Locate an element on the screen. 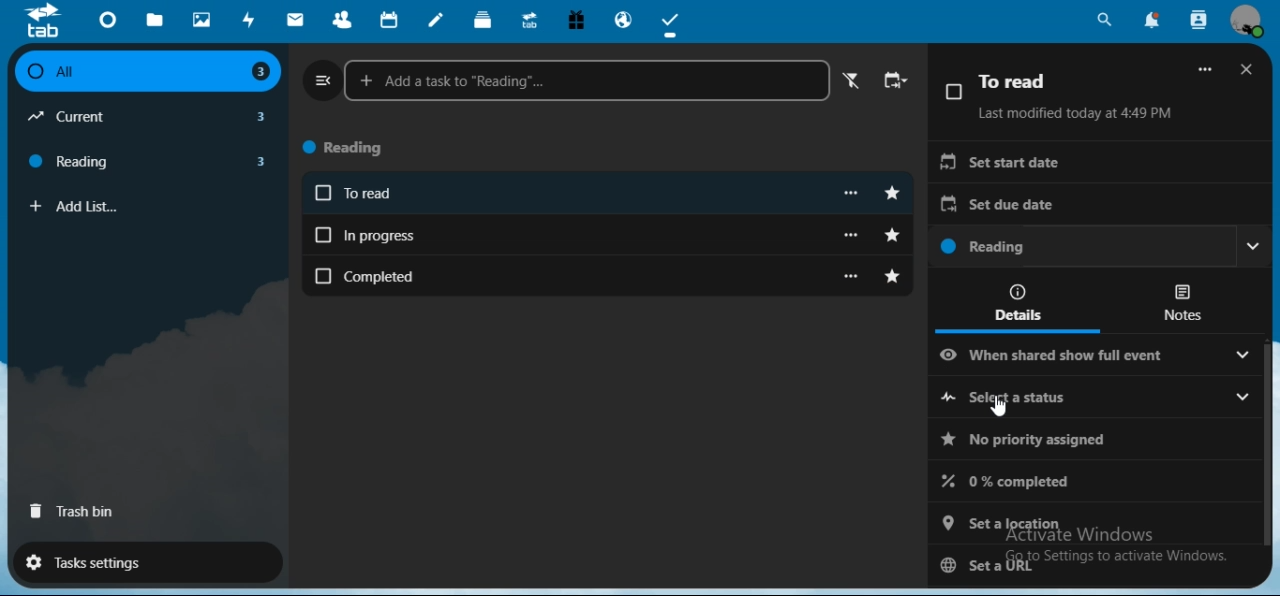  set a URL is located at coordinates (1088, 568).